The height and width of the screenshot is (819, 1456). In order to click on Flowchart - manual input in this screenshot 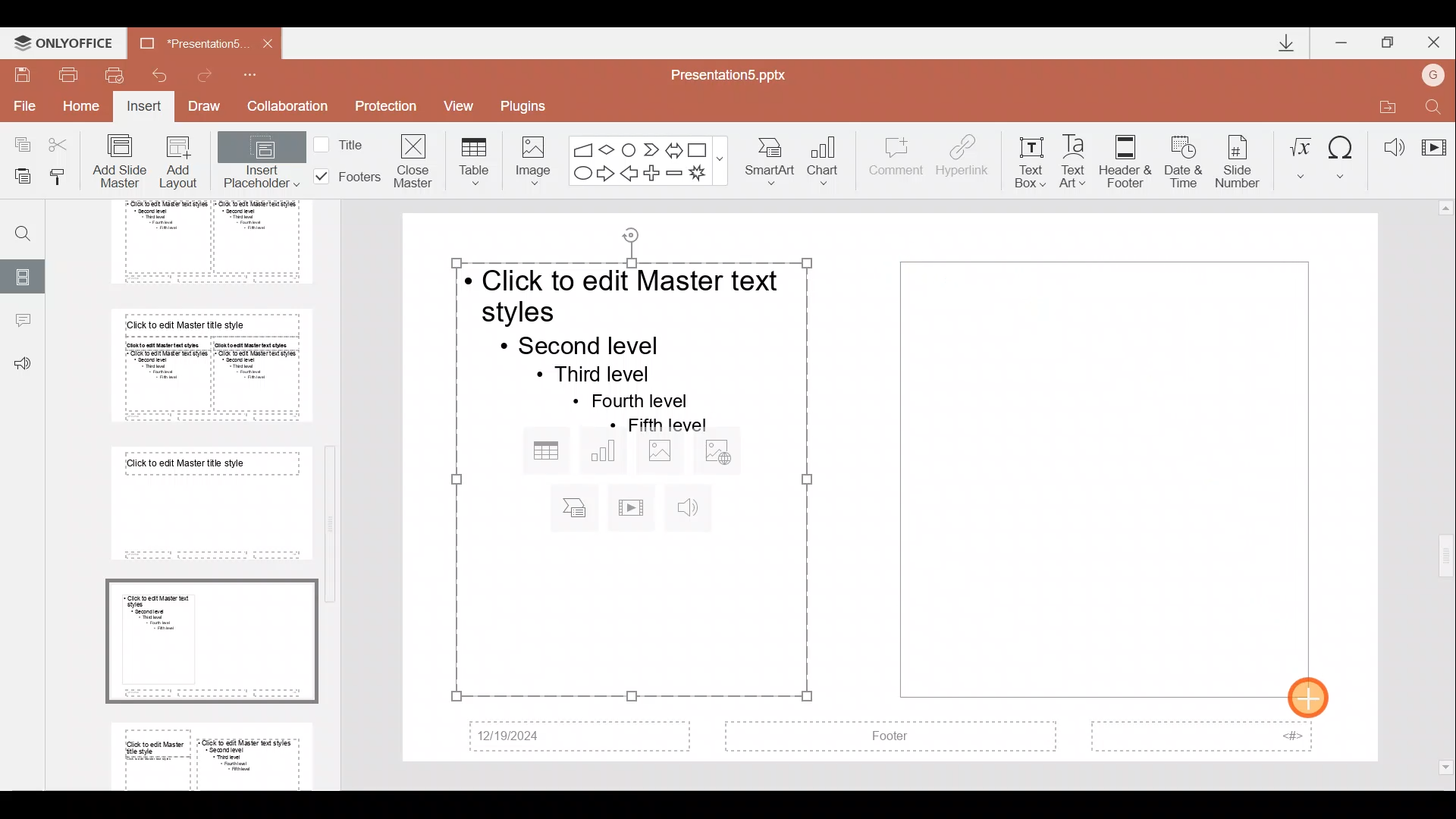, I will do `click(582, 147)`.